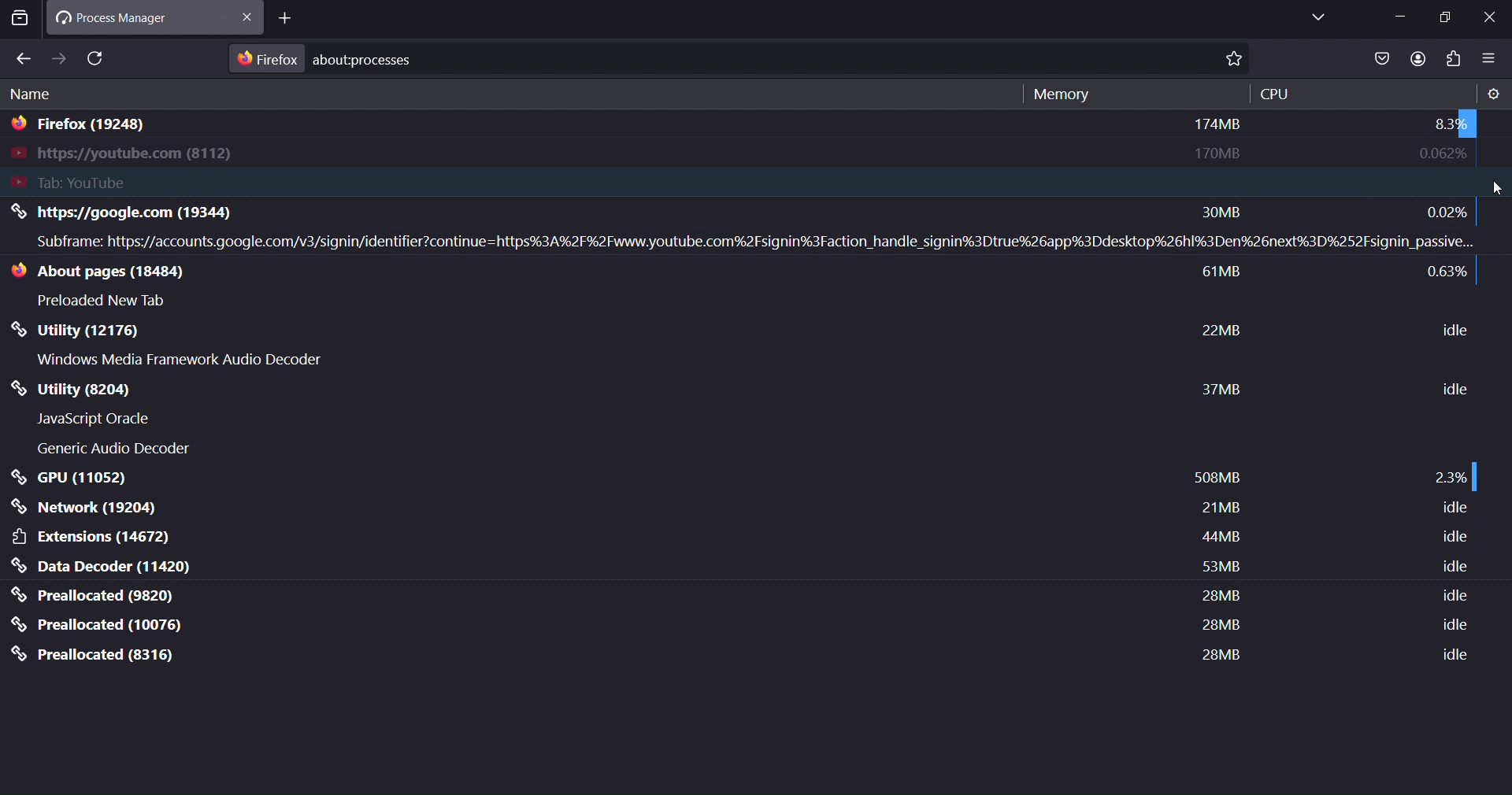  I want to click on Preloaded new tab, so click(106, 300).